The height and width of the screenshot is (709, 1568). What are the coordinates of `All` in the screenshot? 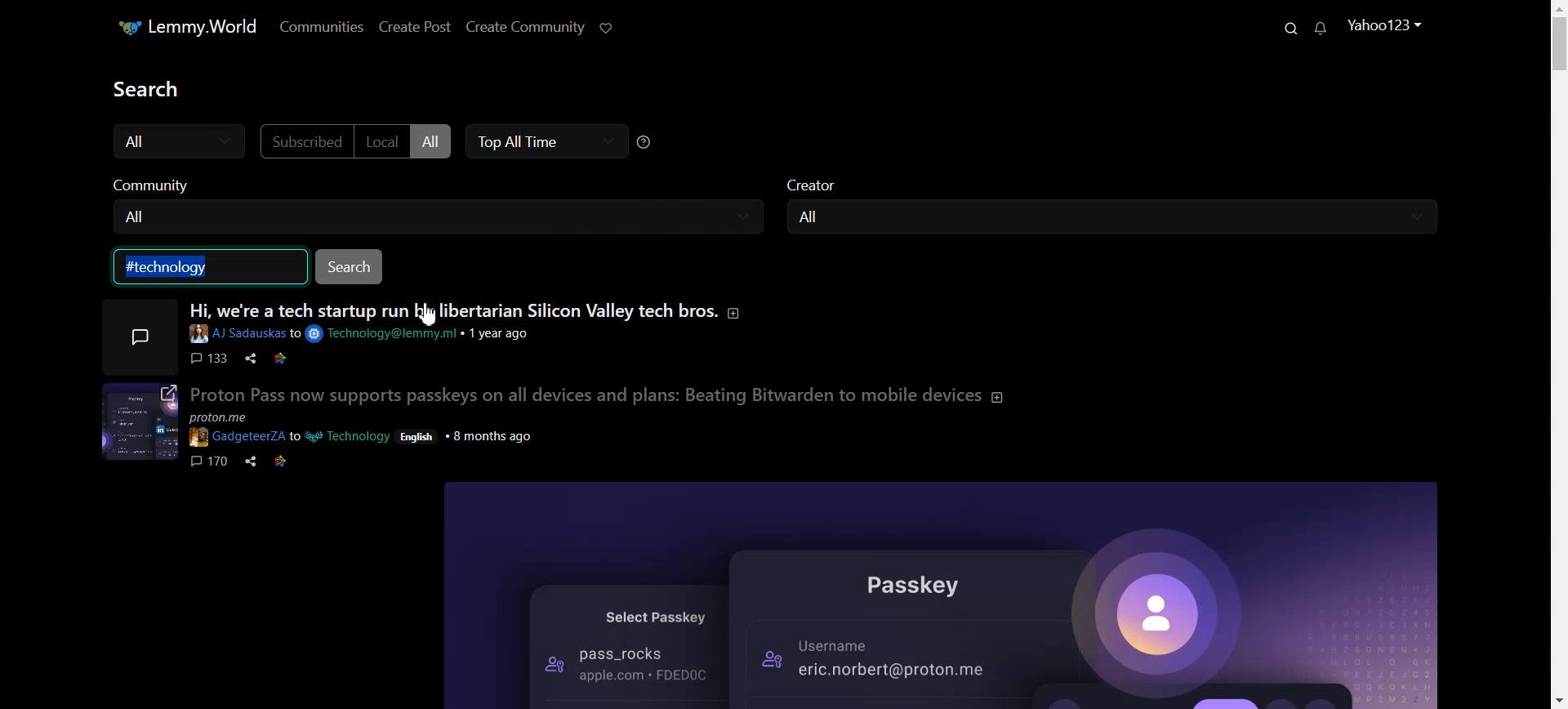 It's located at (822, 216).